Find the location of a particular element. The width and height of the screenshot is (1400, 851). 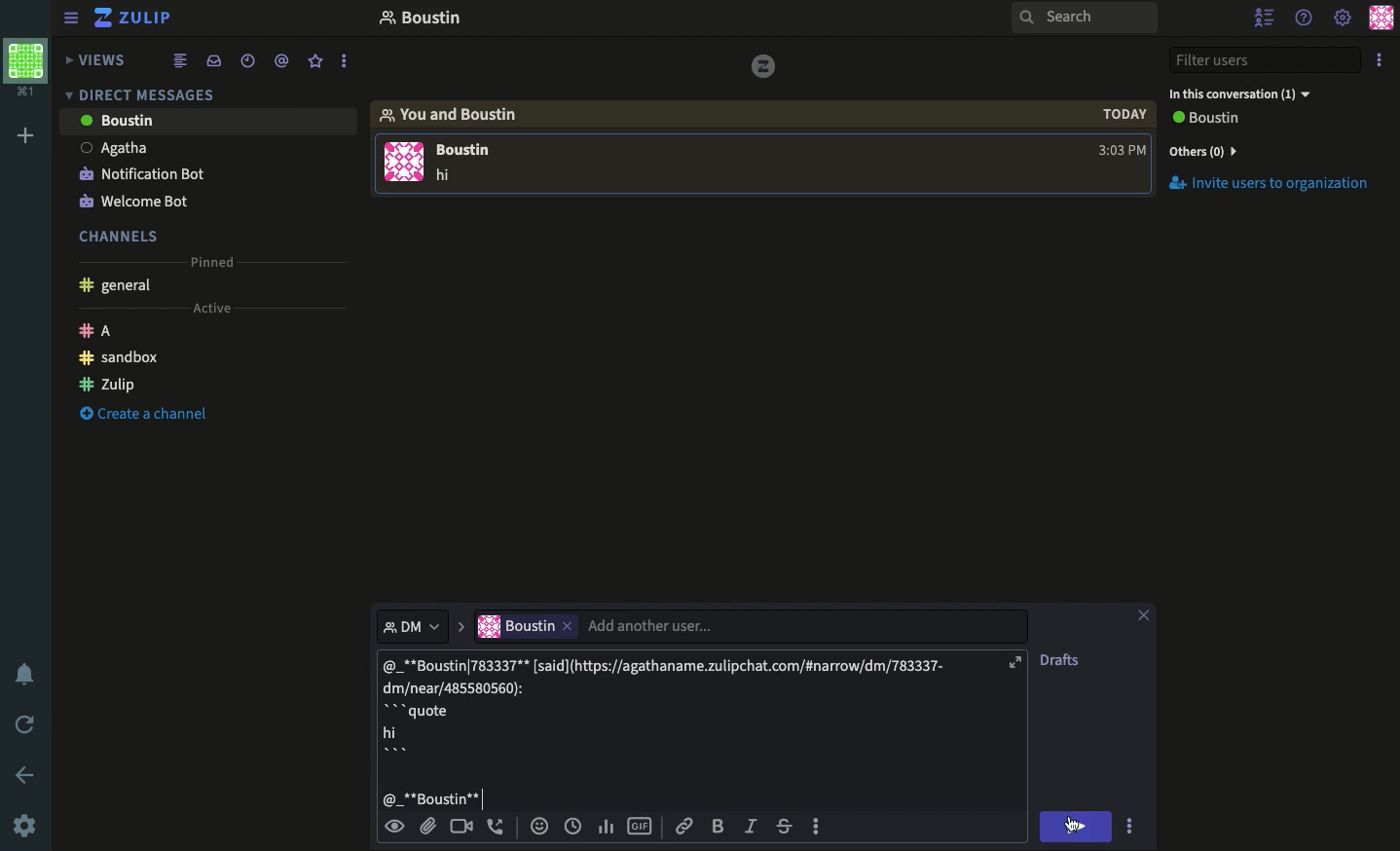

Bol is located at coordinates (721, 827).